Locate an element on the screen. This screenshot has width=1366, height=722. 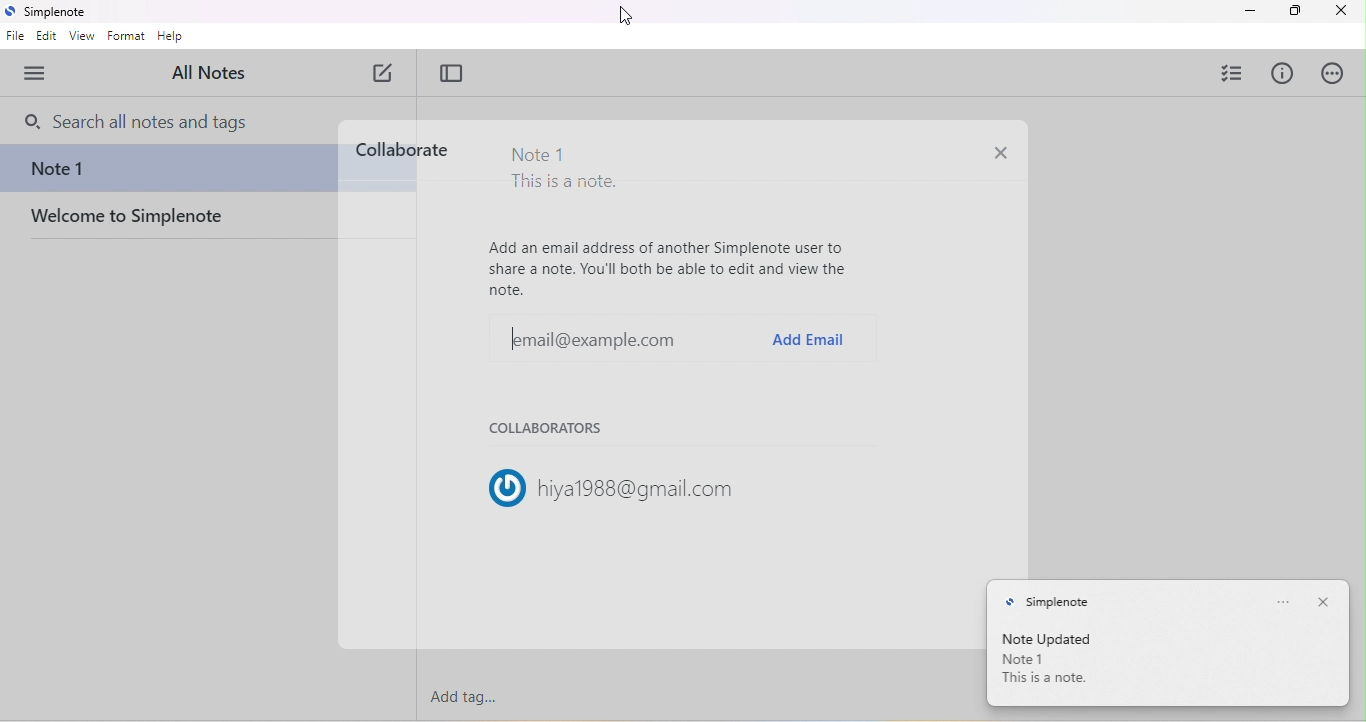
Add an email address of another Simplenote user to share a note. You'll both be able to edit and view the note. is located at coordinates (670, 268).